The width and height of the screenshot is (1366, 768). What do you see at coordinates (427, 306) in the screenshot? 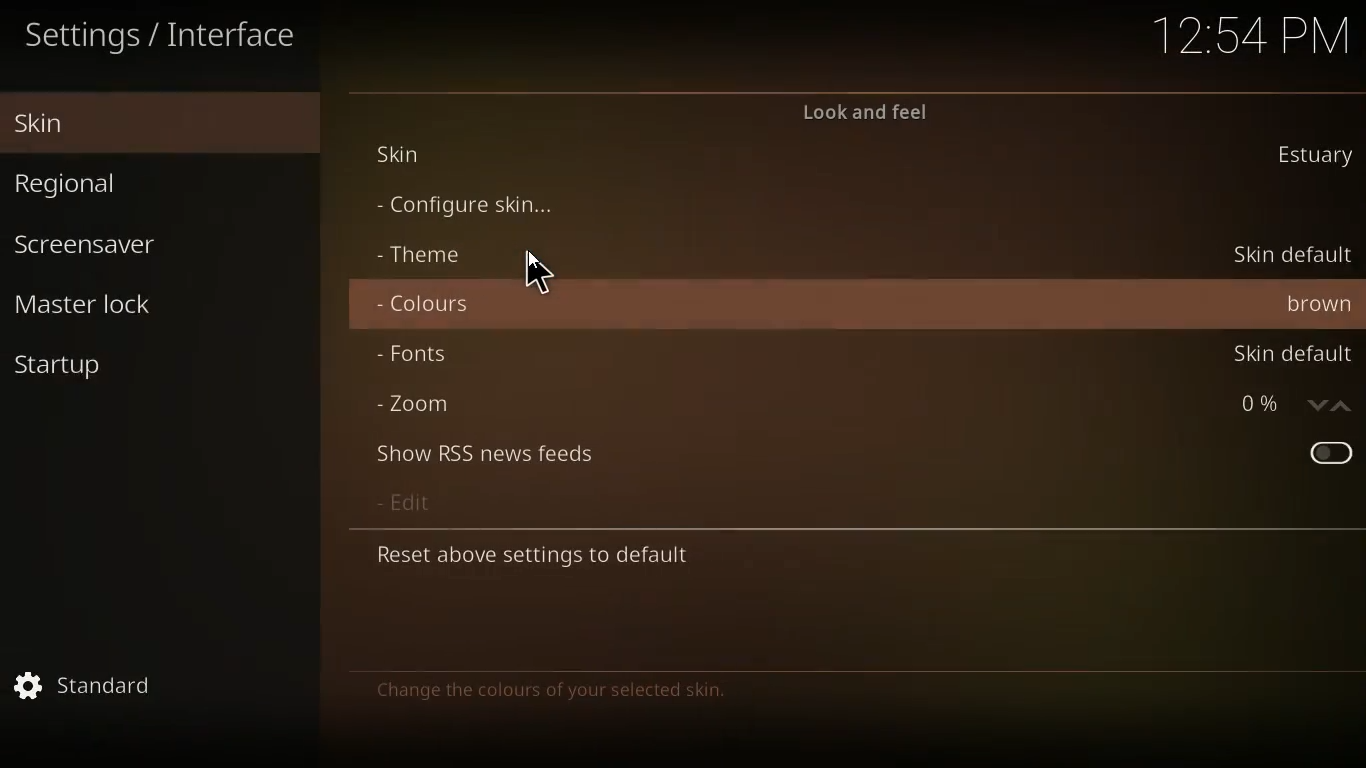
I see `- Colours` at bounding box center [427, 306].